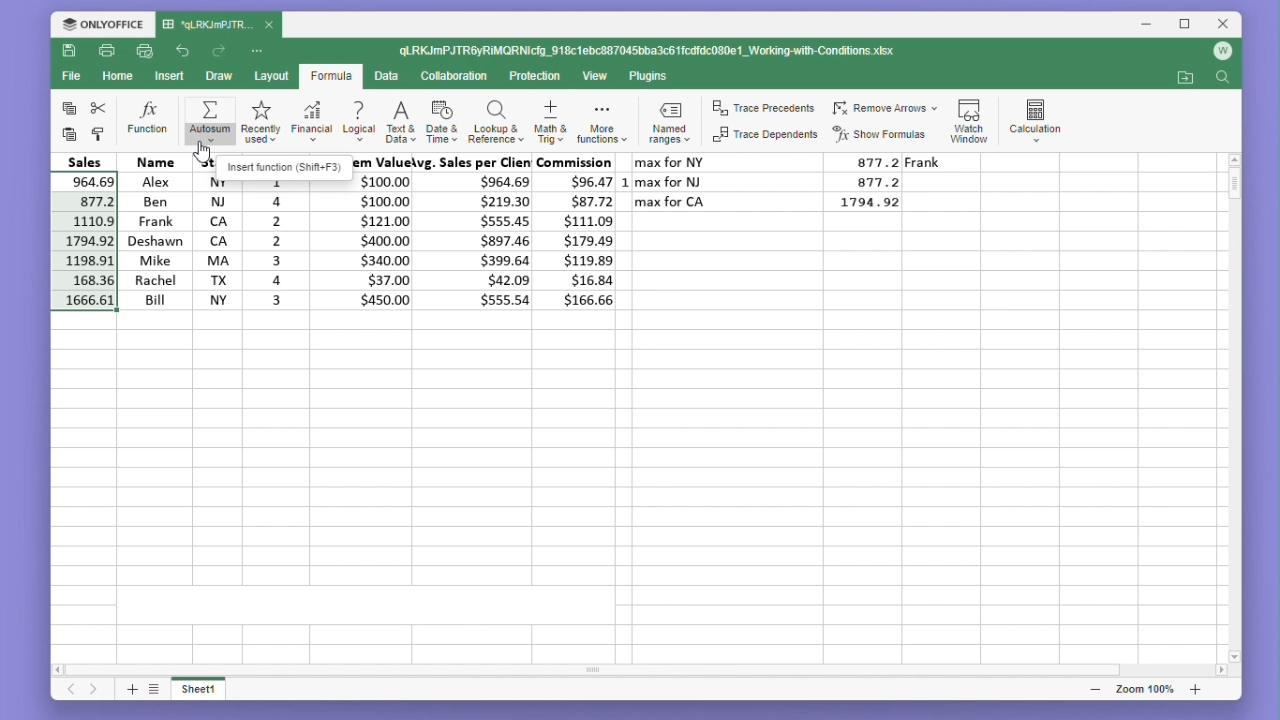 The height and width of the screenshot is (720, 1280). What do you see at coordinates (533, 77) in the screenshot?
I see `Protection` at bounding box center [533, 77].